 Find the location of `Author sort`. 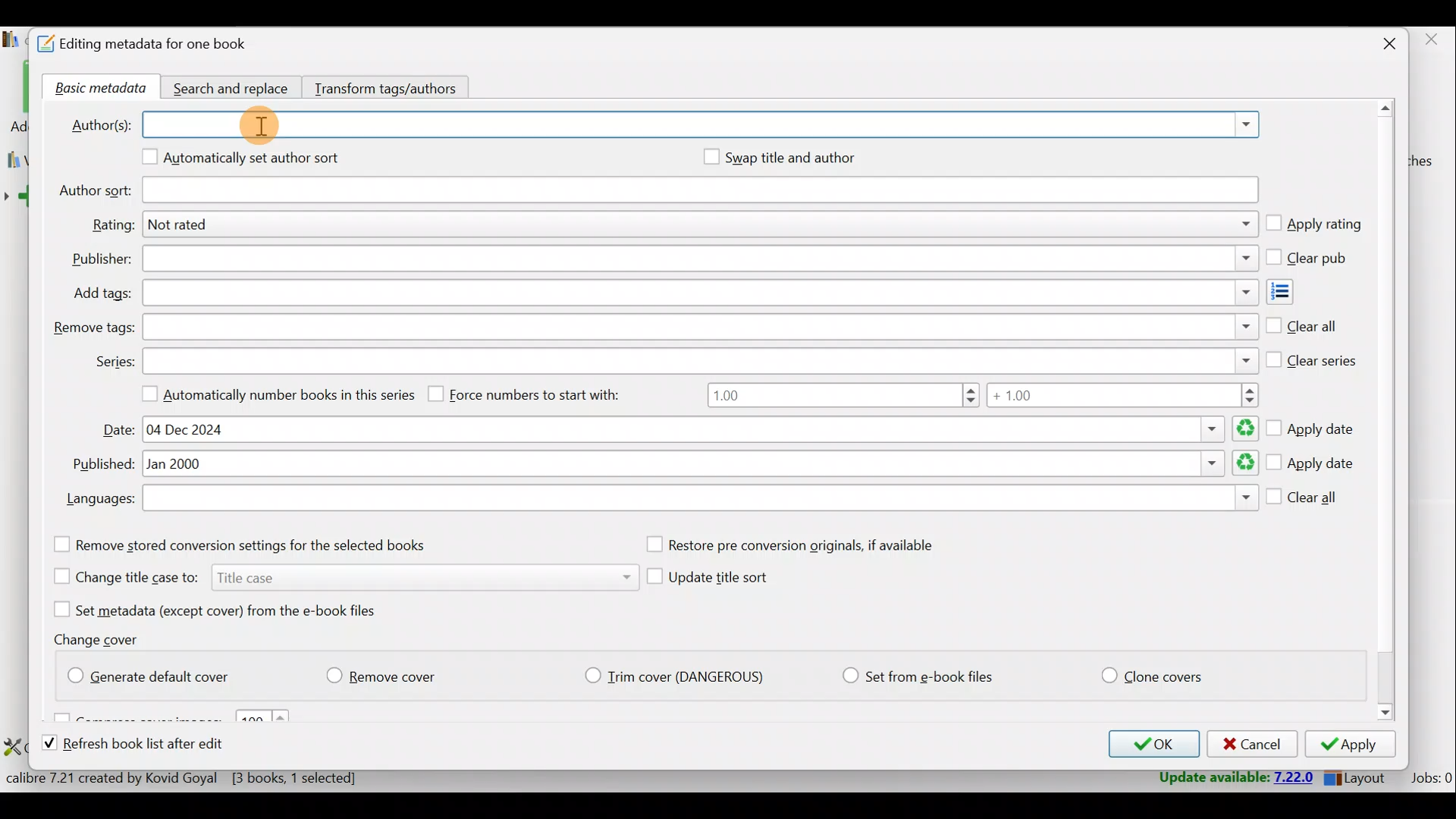

Author sort is located at coordinates (699, 191).